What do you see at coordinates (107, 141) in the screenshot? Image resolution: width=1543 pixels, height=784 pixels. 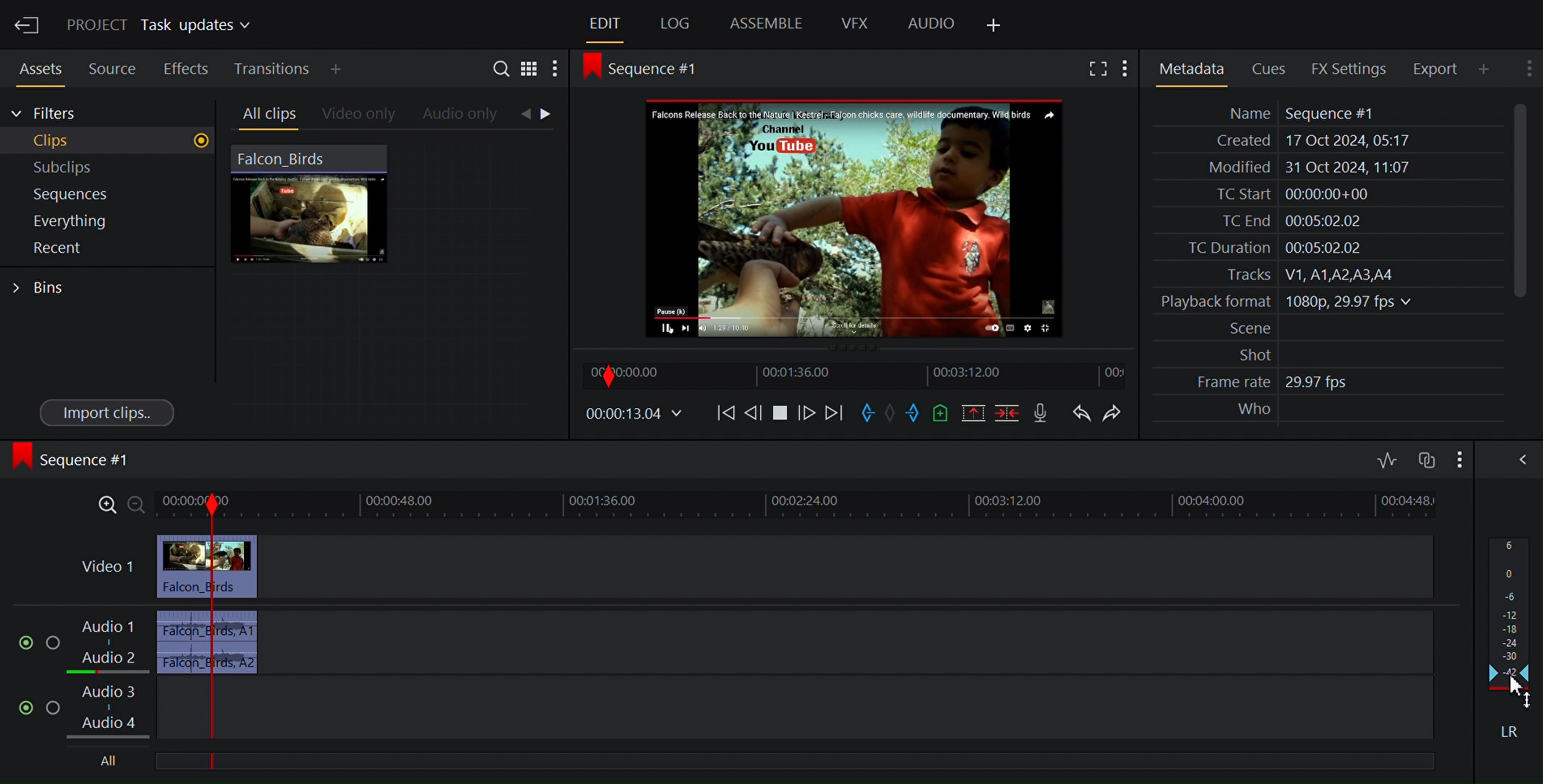 I see `Clips` at bounding box center [107, 141].